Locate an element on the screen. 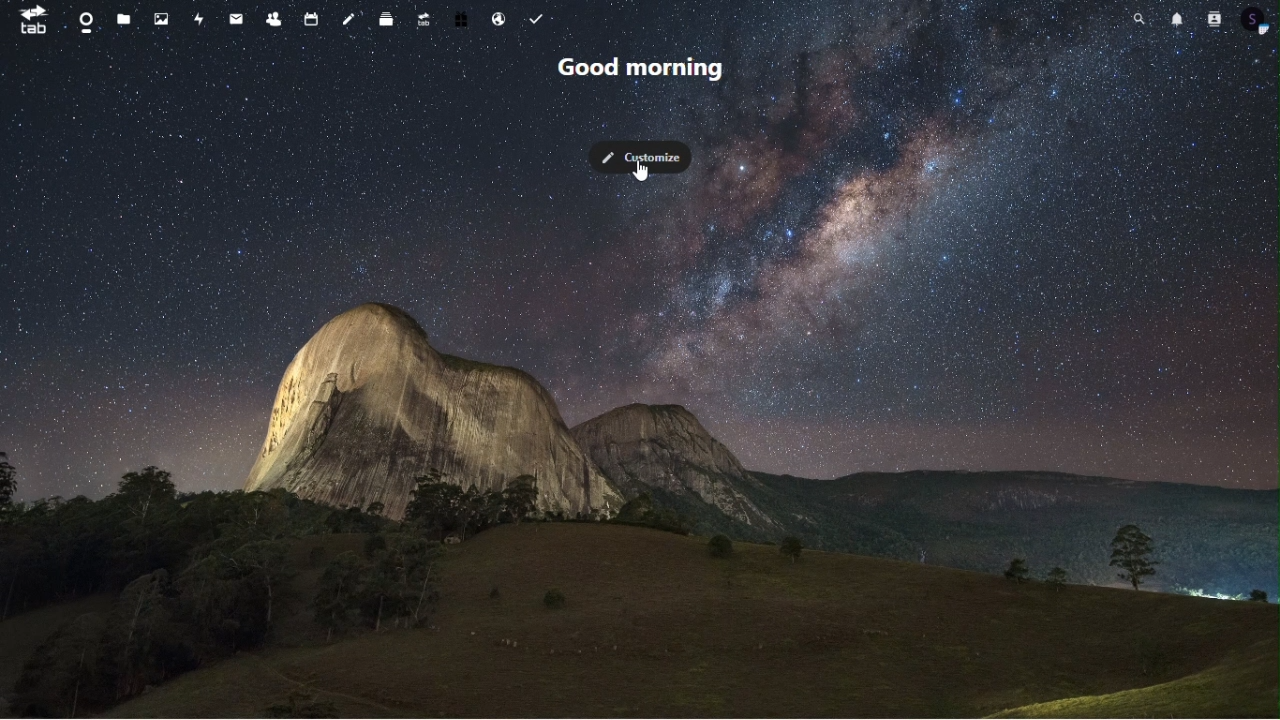  dashboard is located at coordinates (84, 20).